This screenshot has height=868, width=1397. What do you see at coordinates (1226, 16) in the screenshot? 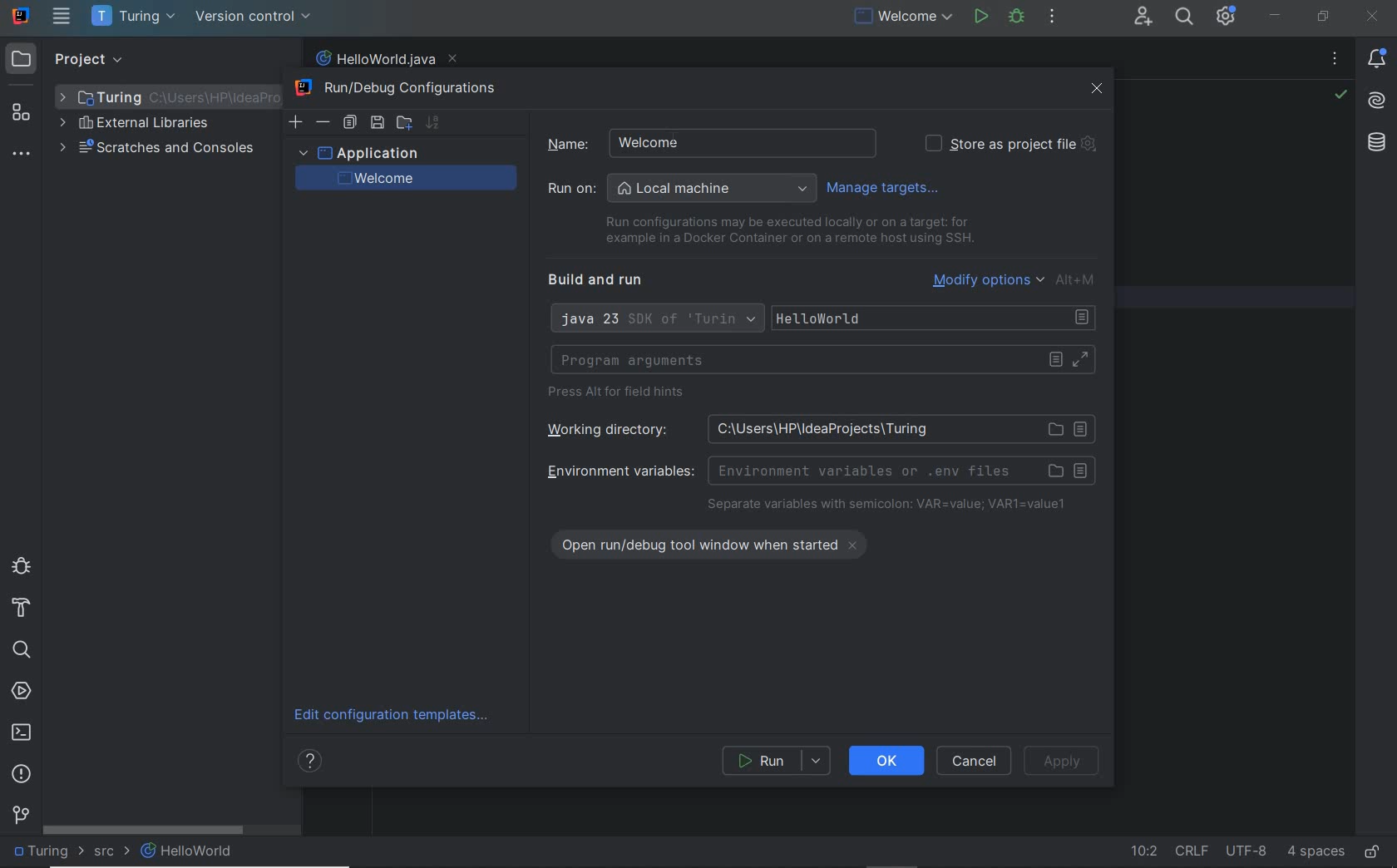
I see `IDE & Project Settings` at bounding box center [1226, 16].